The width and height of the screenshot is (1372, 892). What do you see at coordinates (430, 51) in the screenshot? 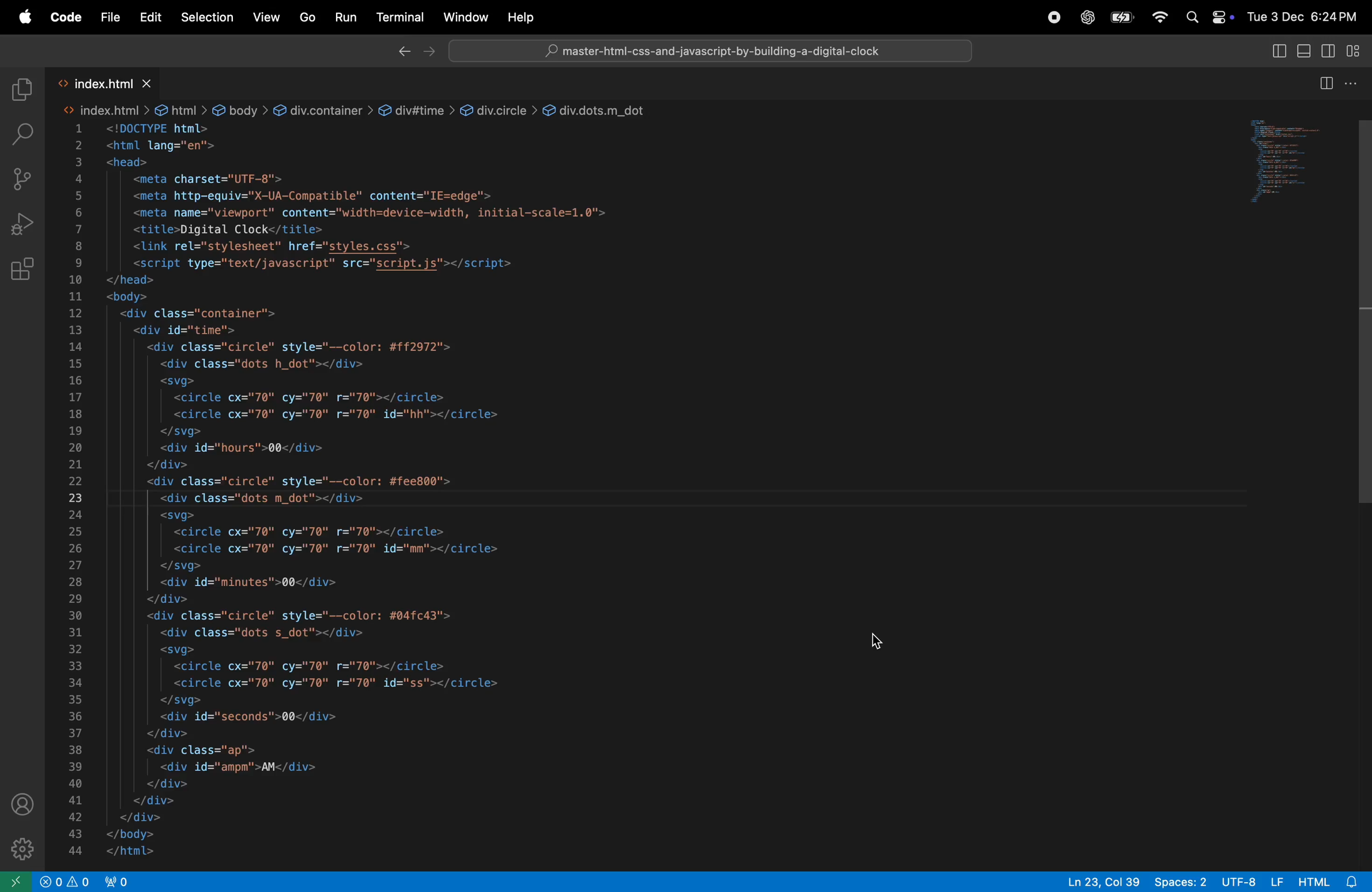
I see `forward` at bounding box center [430, 51].